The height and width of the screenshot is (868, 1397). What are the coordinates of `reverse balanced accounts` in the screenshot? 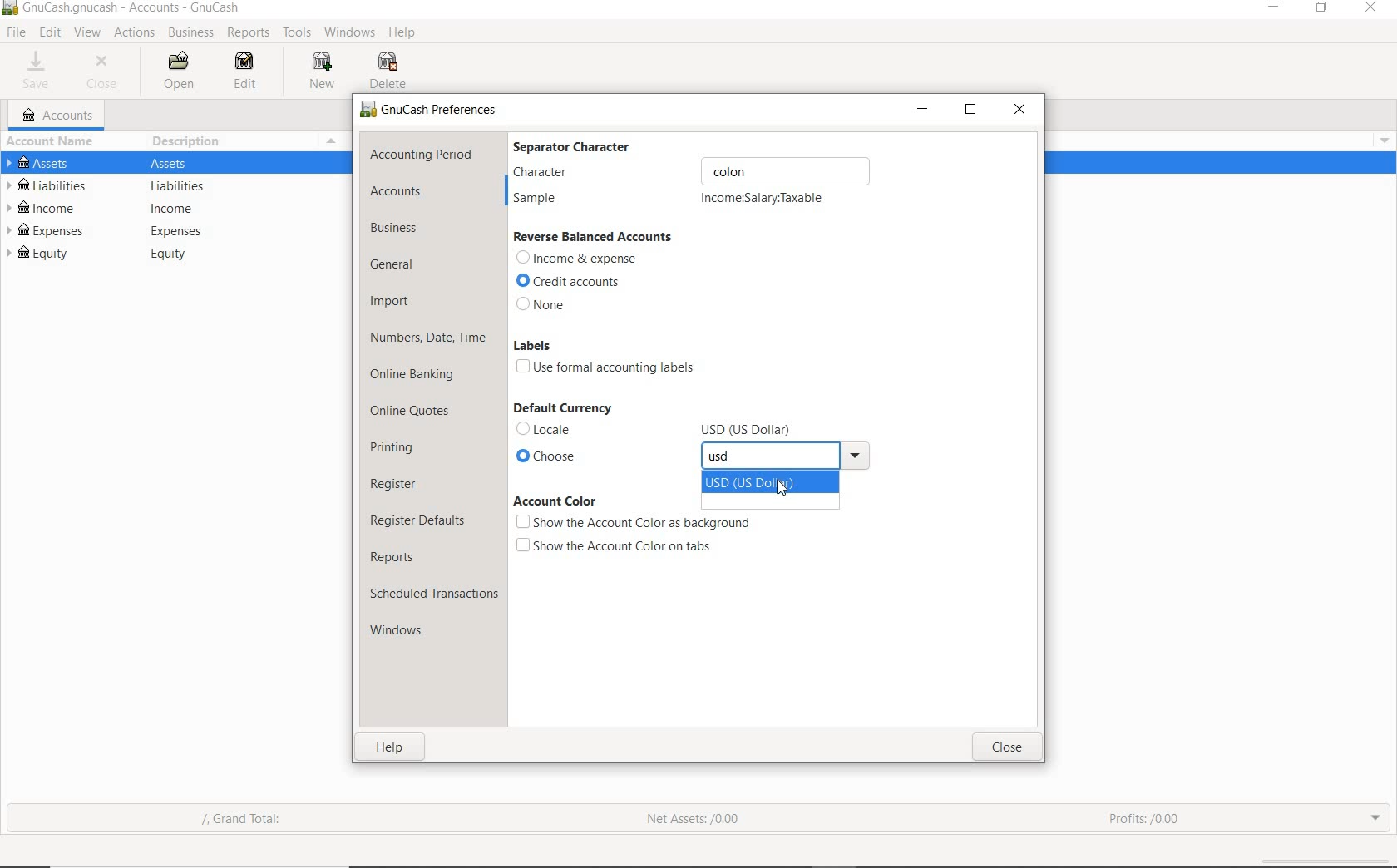 It's located at (594, 237).